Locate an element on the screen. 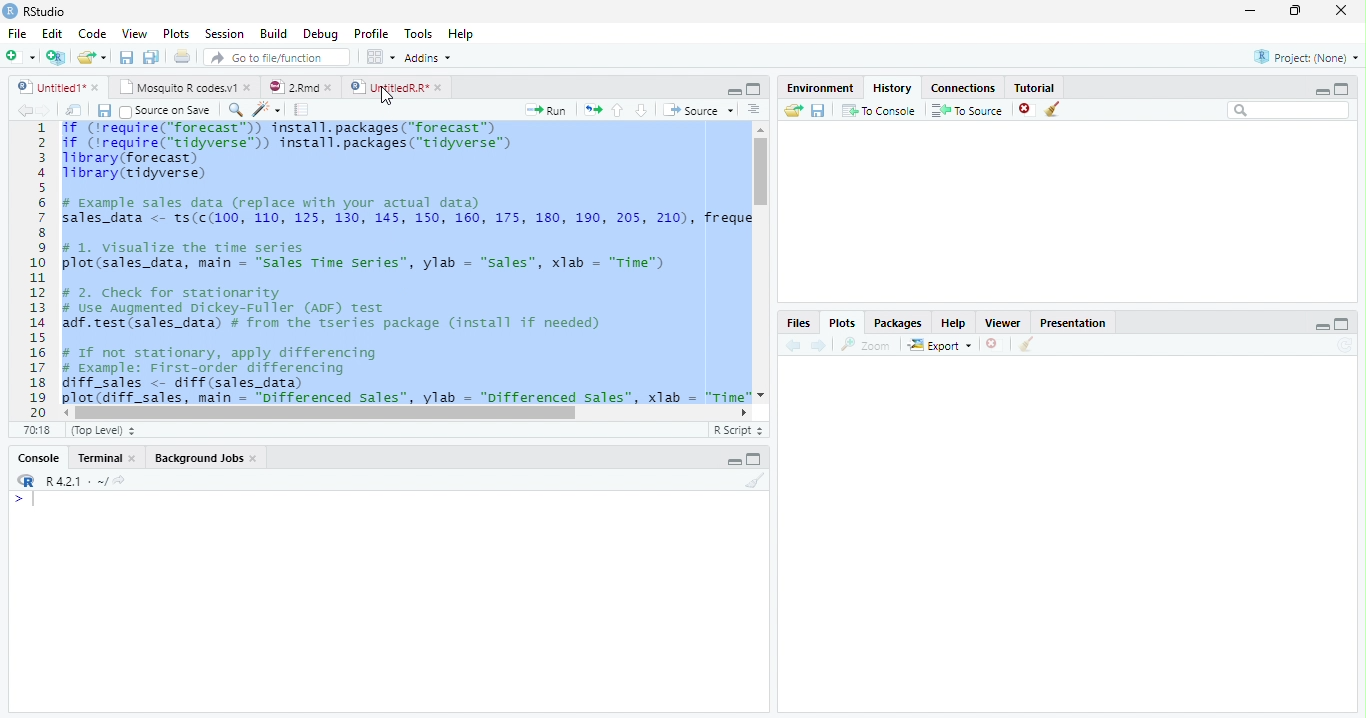 The width and height of the screenshot is (1366, 718). Create file is located at coordinates (21, 58).